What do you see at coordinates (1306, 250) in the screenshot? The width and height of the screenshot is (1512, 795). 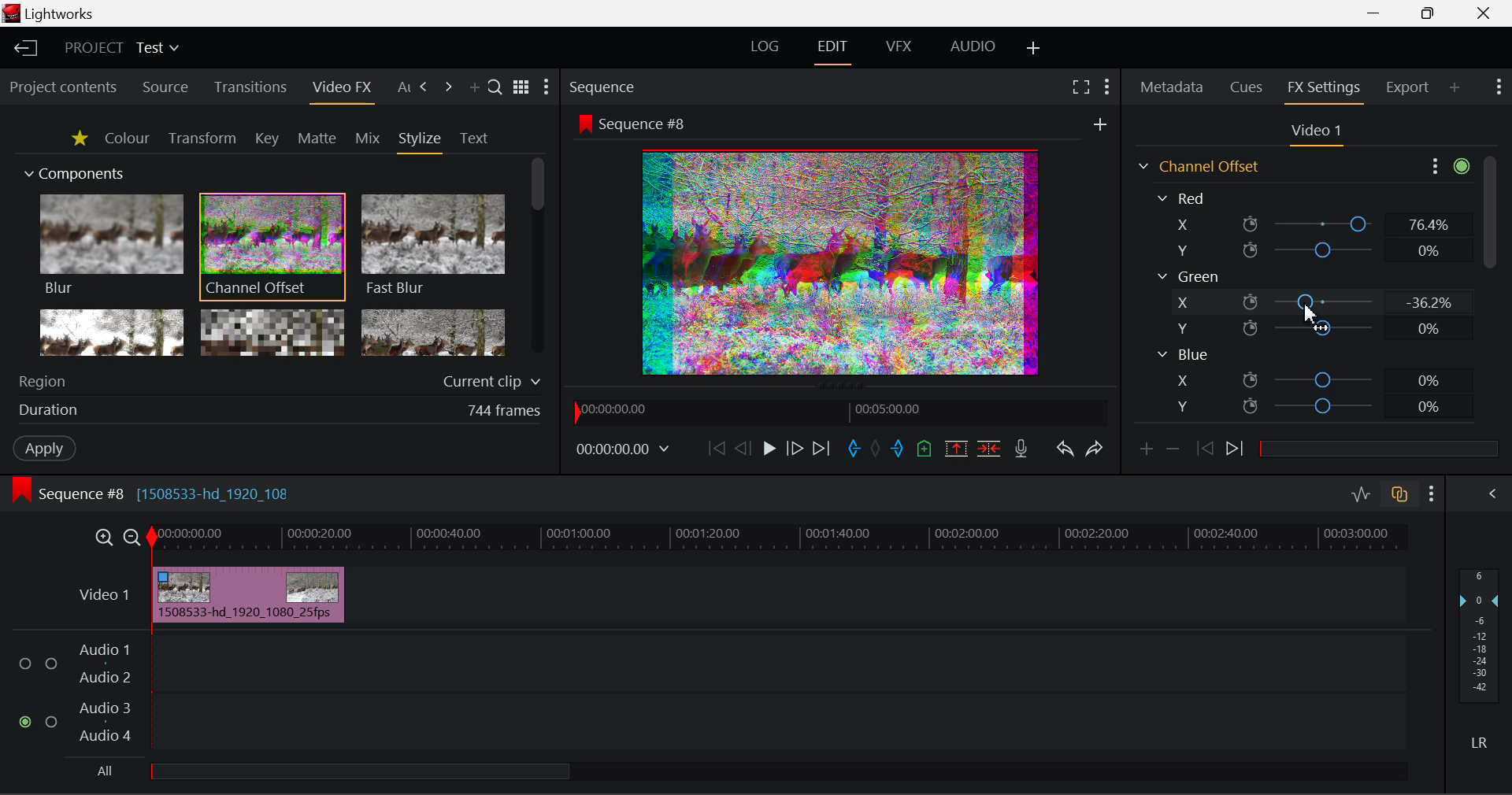 I see `Red Y` at bounding box center [1306, 250].